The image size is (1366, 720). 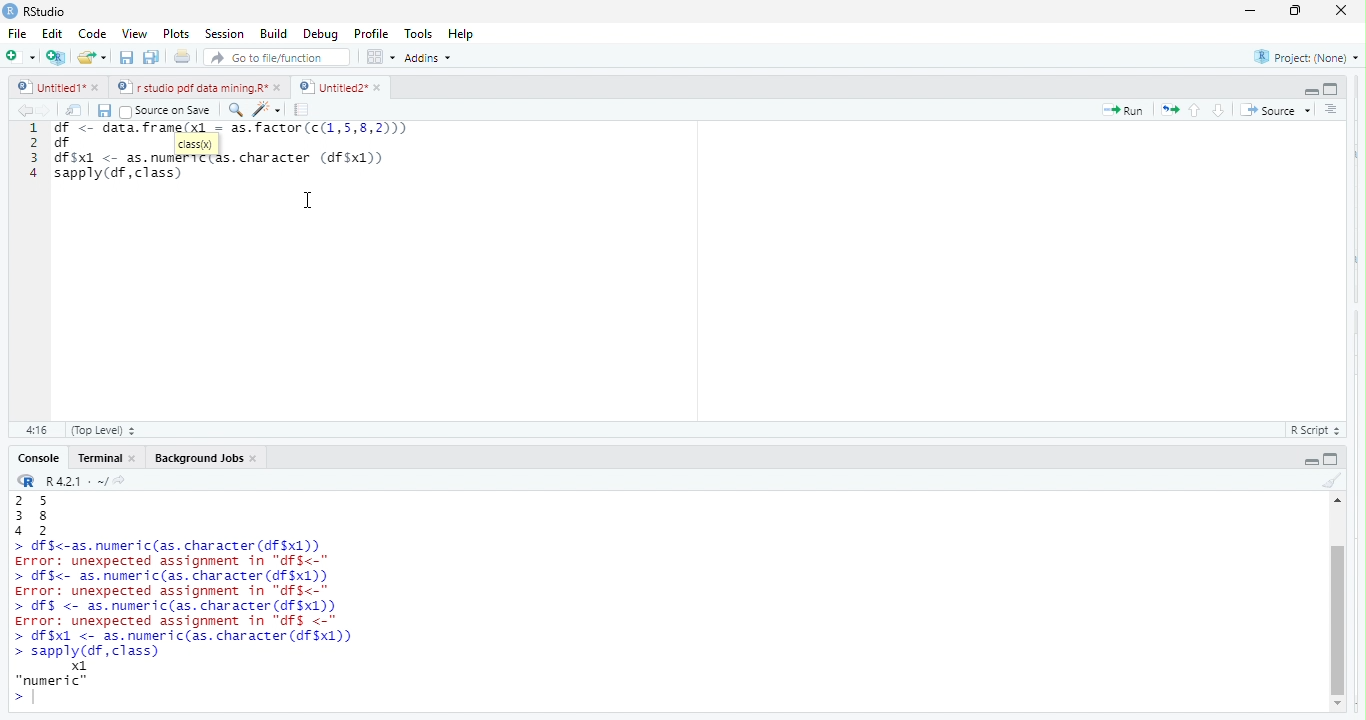 What do you see at coordinates (1308, 91) in the screenshot?
I see `hide r script` at bounding box center [1308, 91].